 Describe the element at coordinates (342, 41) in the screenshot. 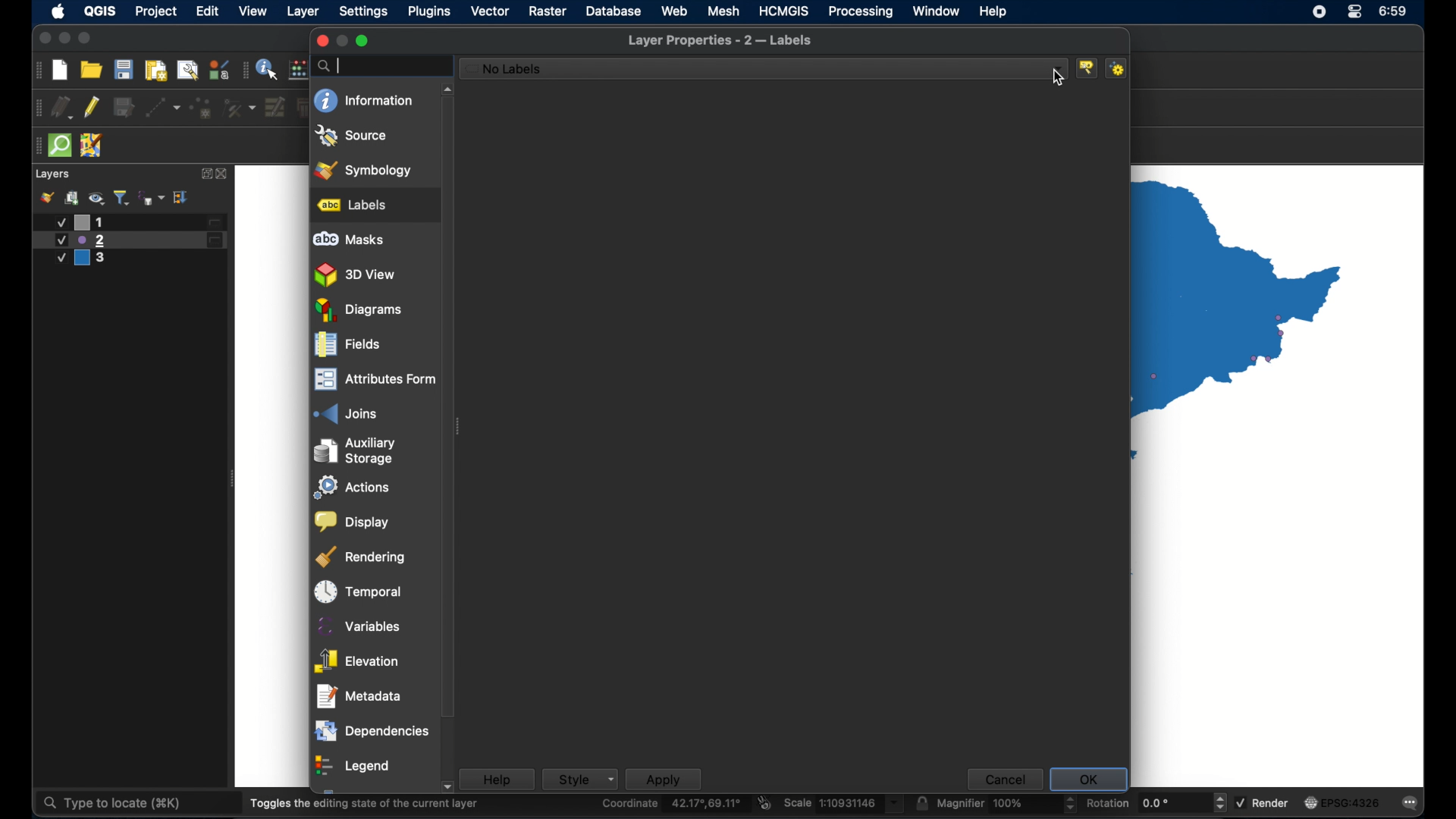

I see `inactive  minimize button` at that location.